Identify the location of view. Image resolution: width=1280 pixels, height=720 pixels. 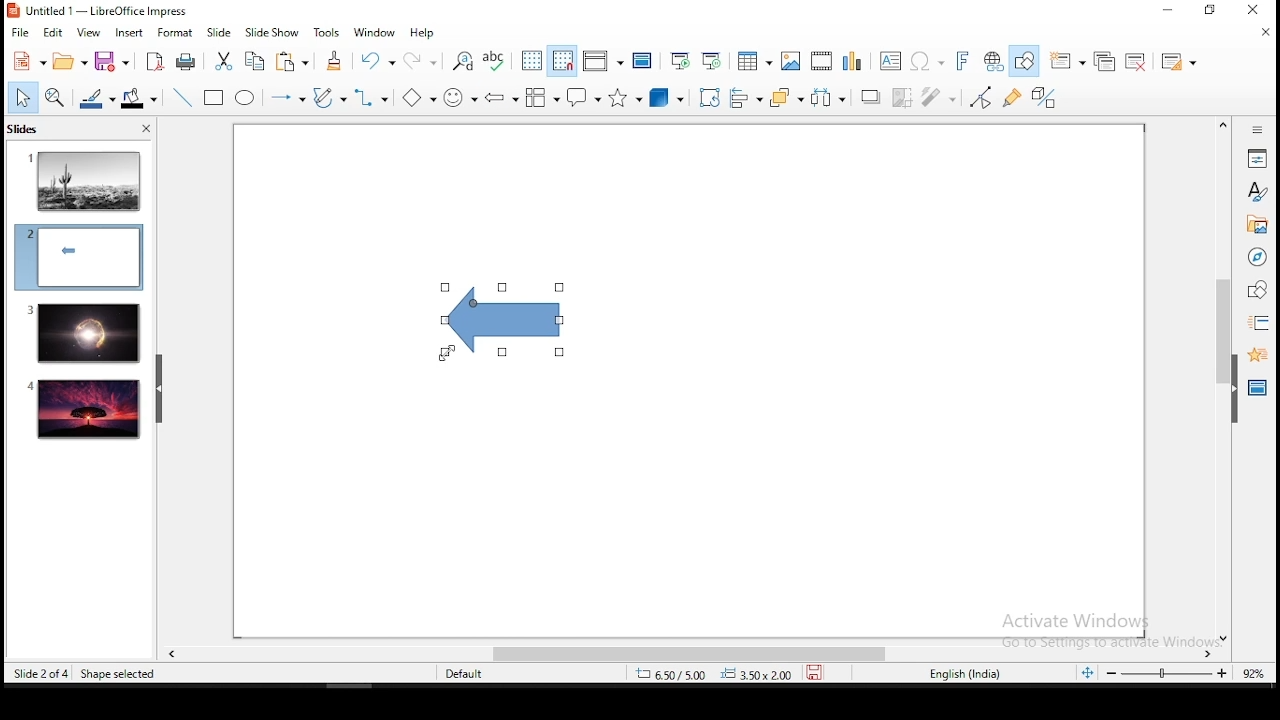
(89, 32).